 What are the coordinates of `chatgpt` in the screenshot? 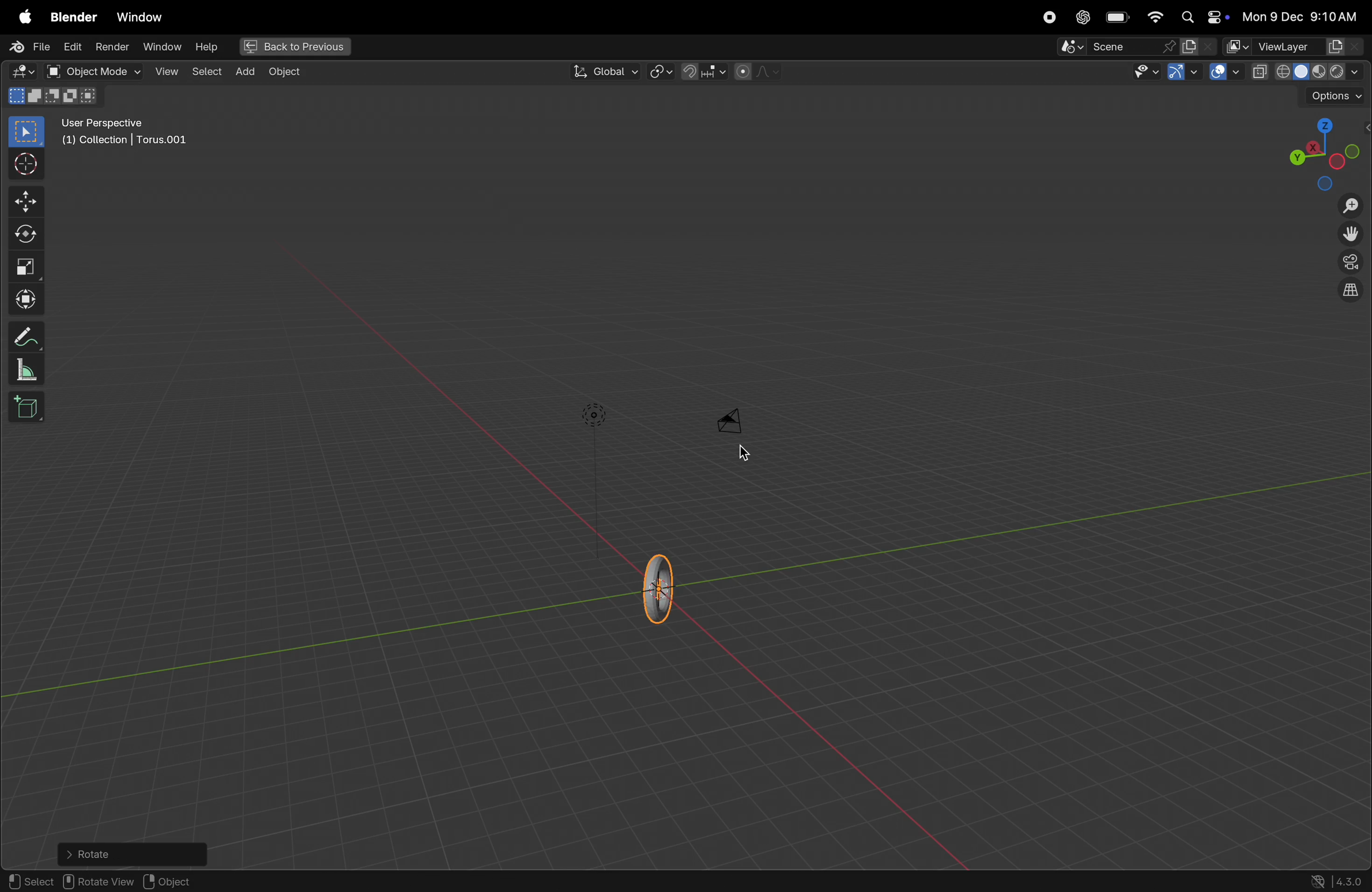 It's located at (1081, 17).